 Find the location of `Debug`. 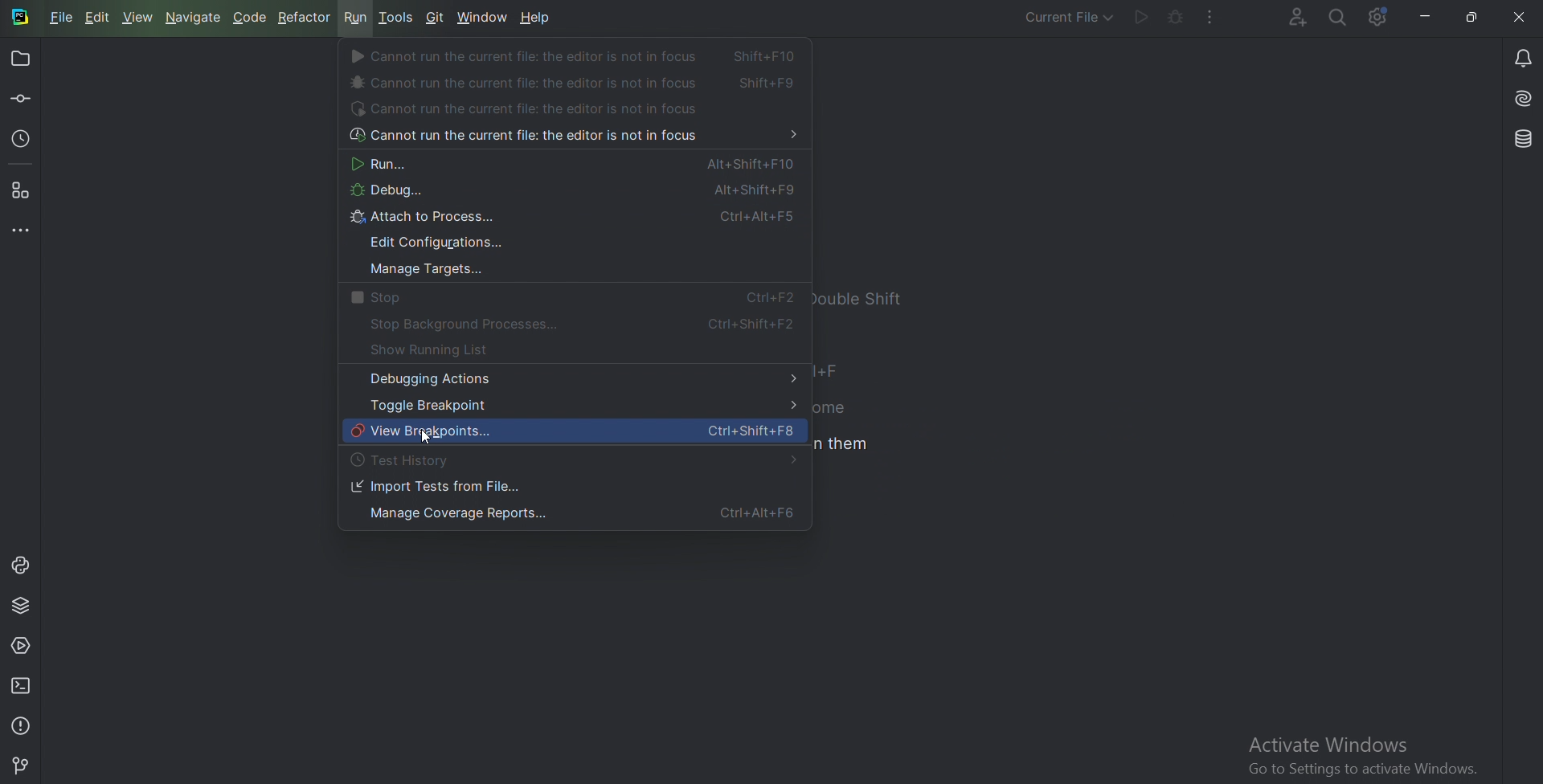

Debug is located at coordinates (567, 193).